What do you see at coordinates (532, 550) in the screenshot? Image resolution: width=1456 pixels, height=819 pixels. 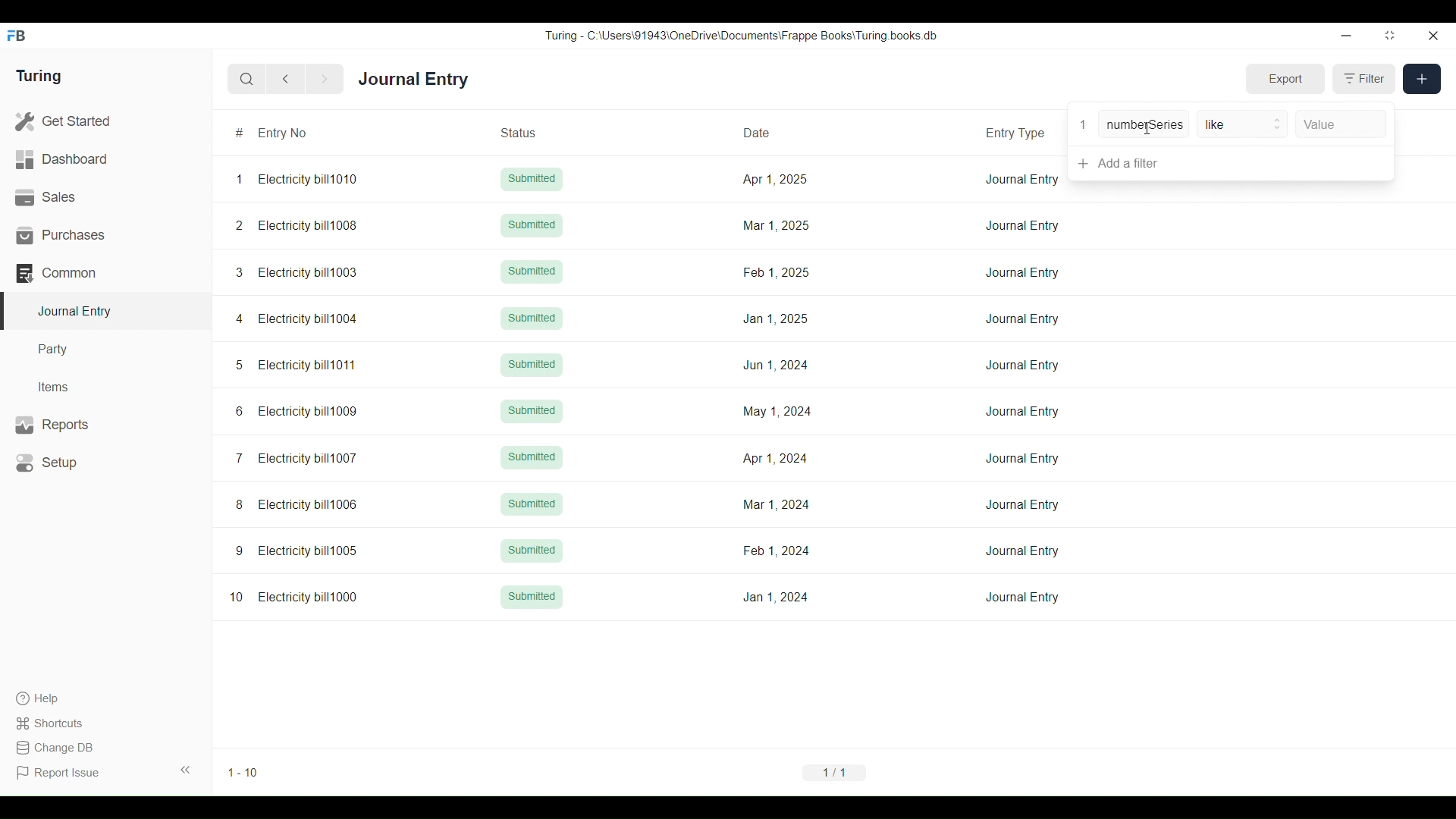 I see `Submitted` at bounding box center [532, 550].